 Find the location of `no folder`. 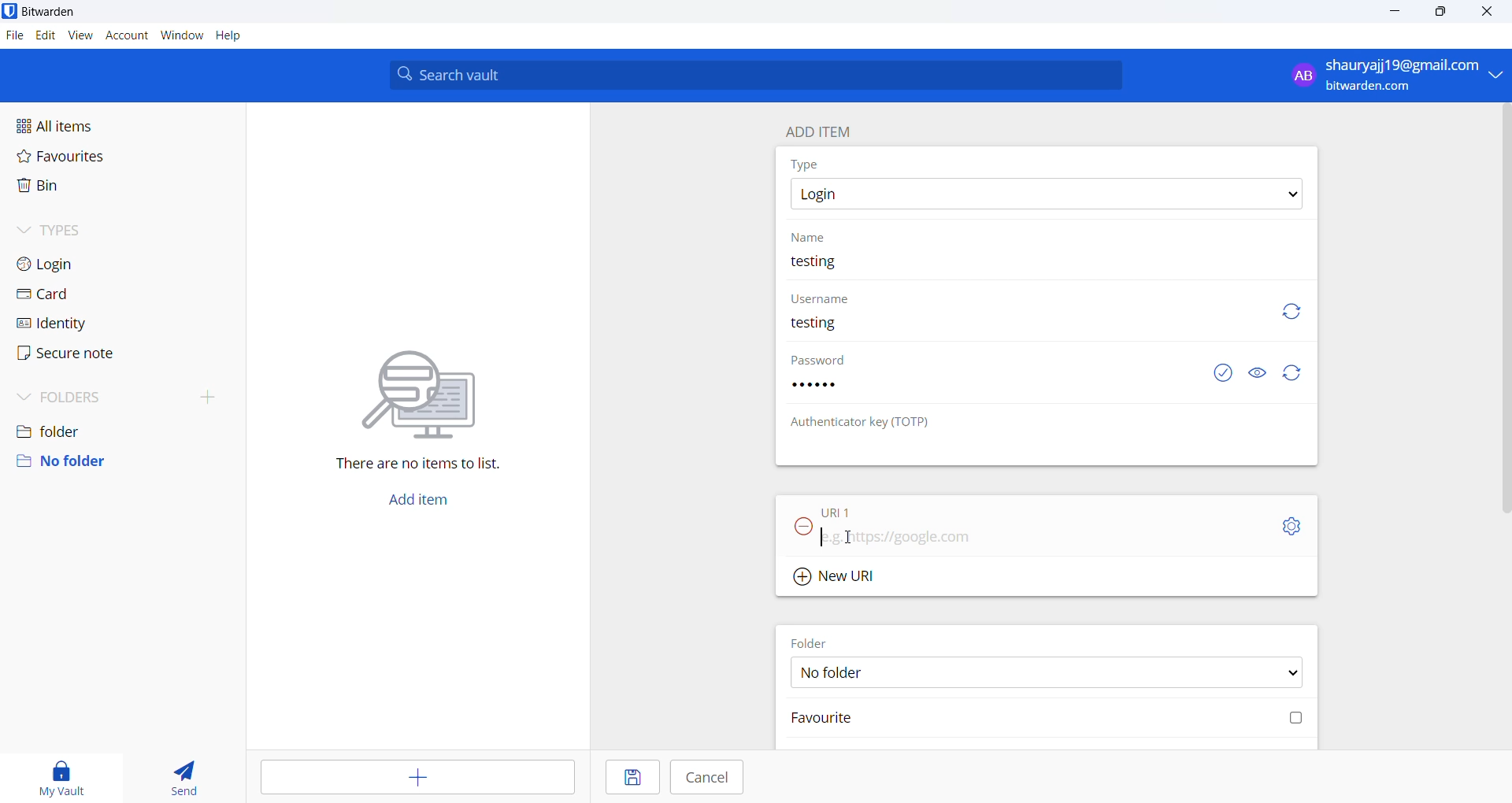

no folder is located at coordinates (117, 461).